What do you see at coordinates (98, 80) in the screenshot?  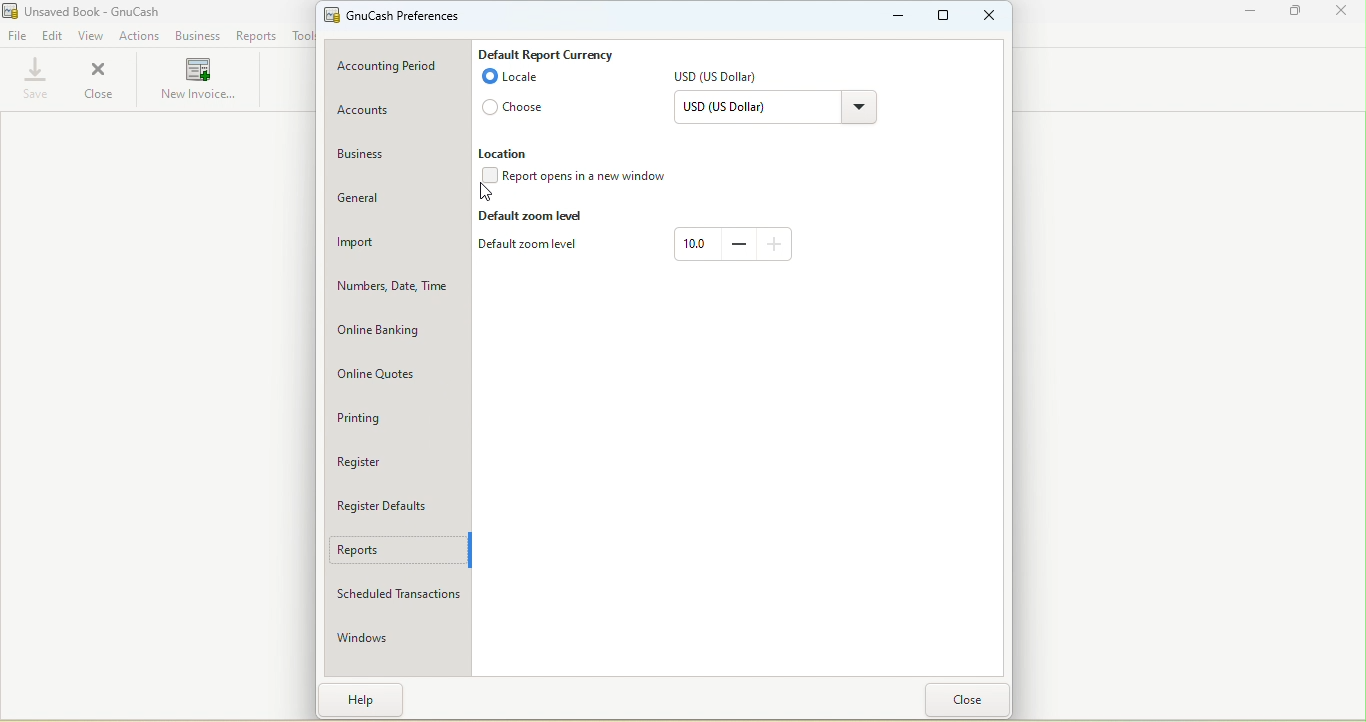 I see `Close` at bounding box center [98, 80].